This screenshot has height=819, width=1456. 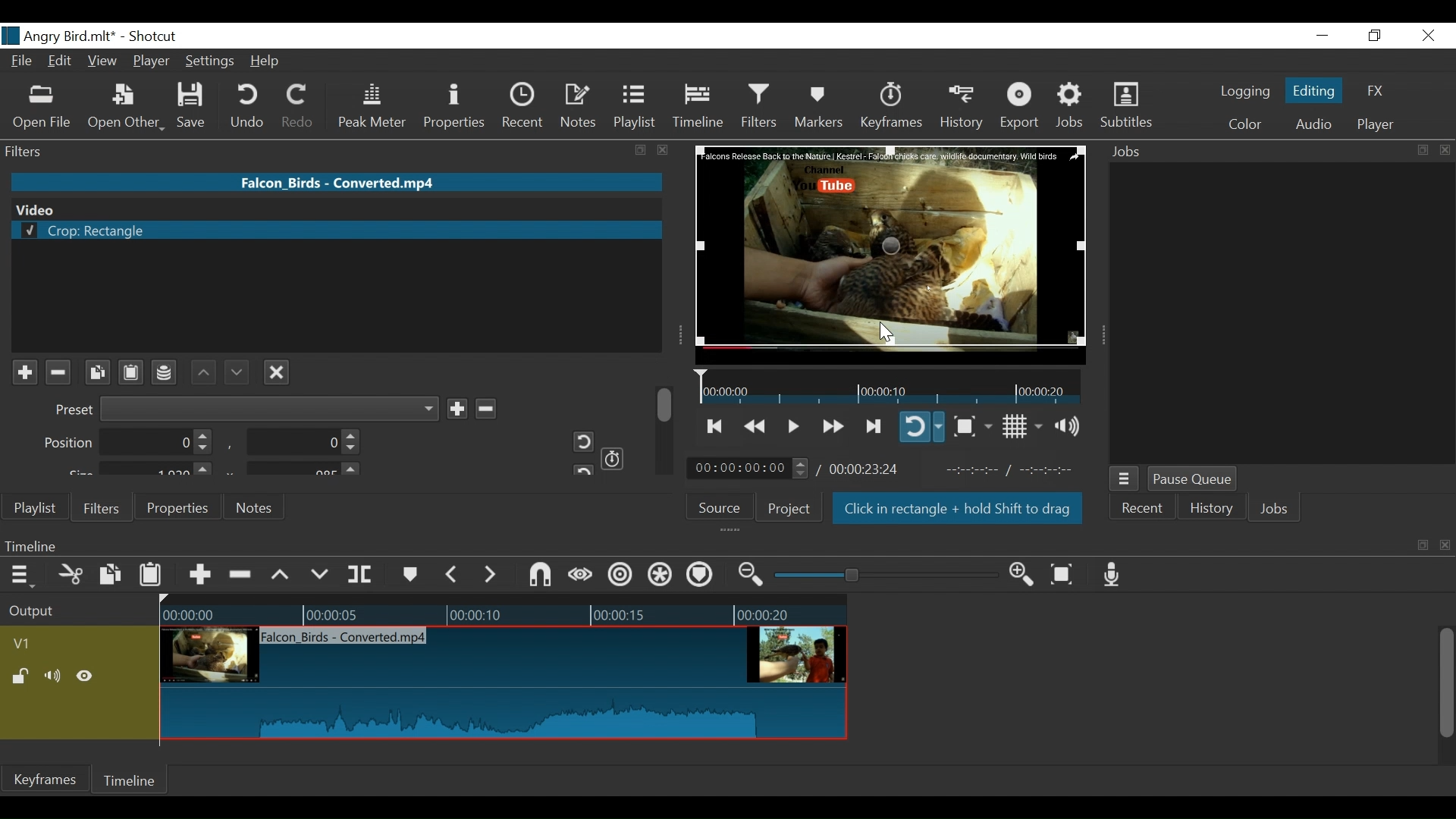 What do you see at coordinates (126, 107) in the screenshot?
I see `Open Other` at bounding box center [126, 107].